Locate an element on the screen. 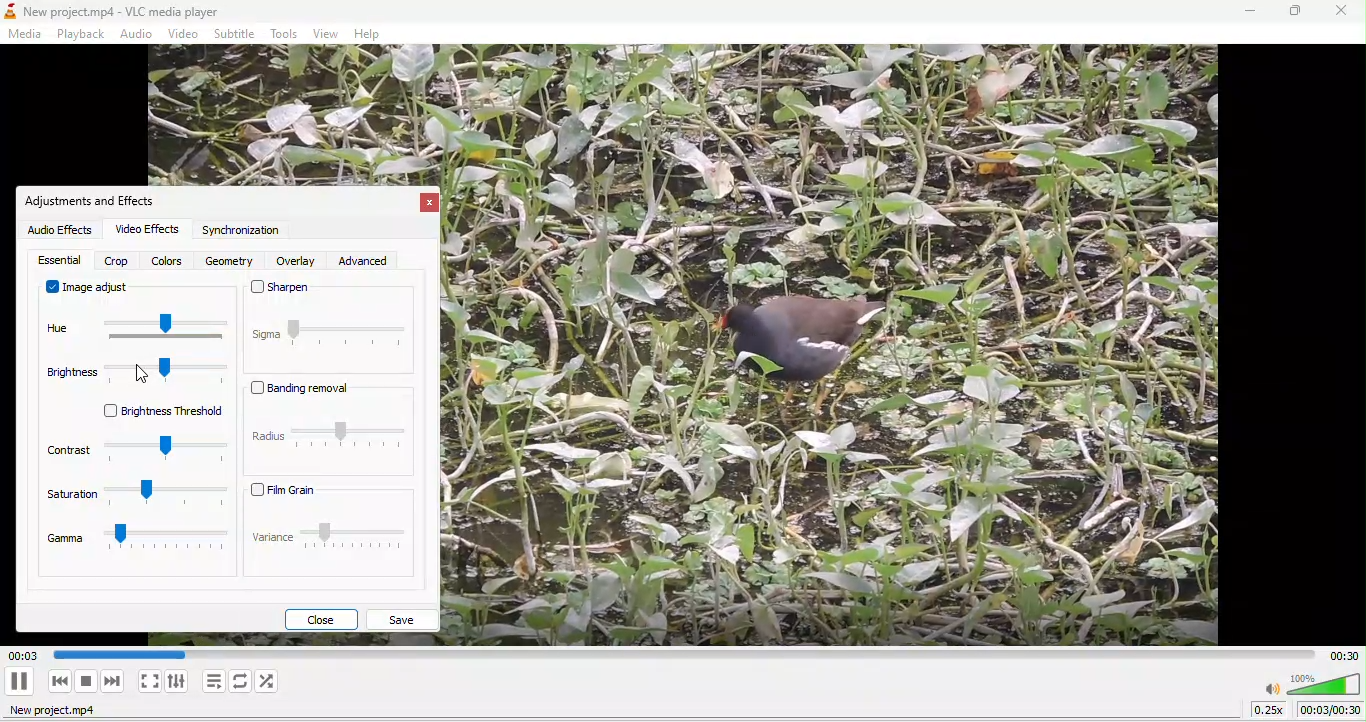  sigma is located at coordinates (331, 347).